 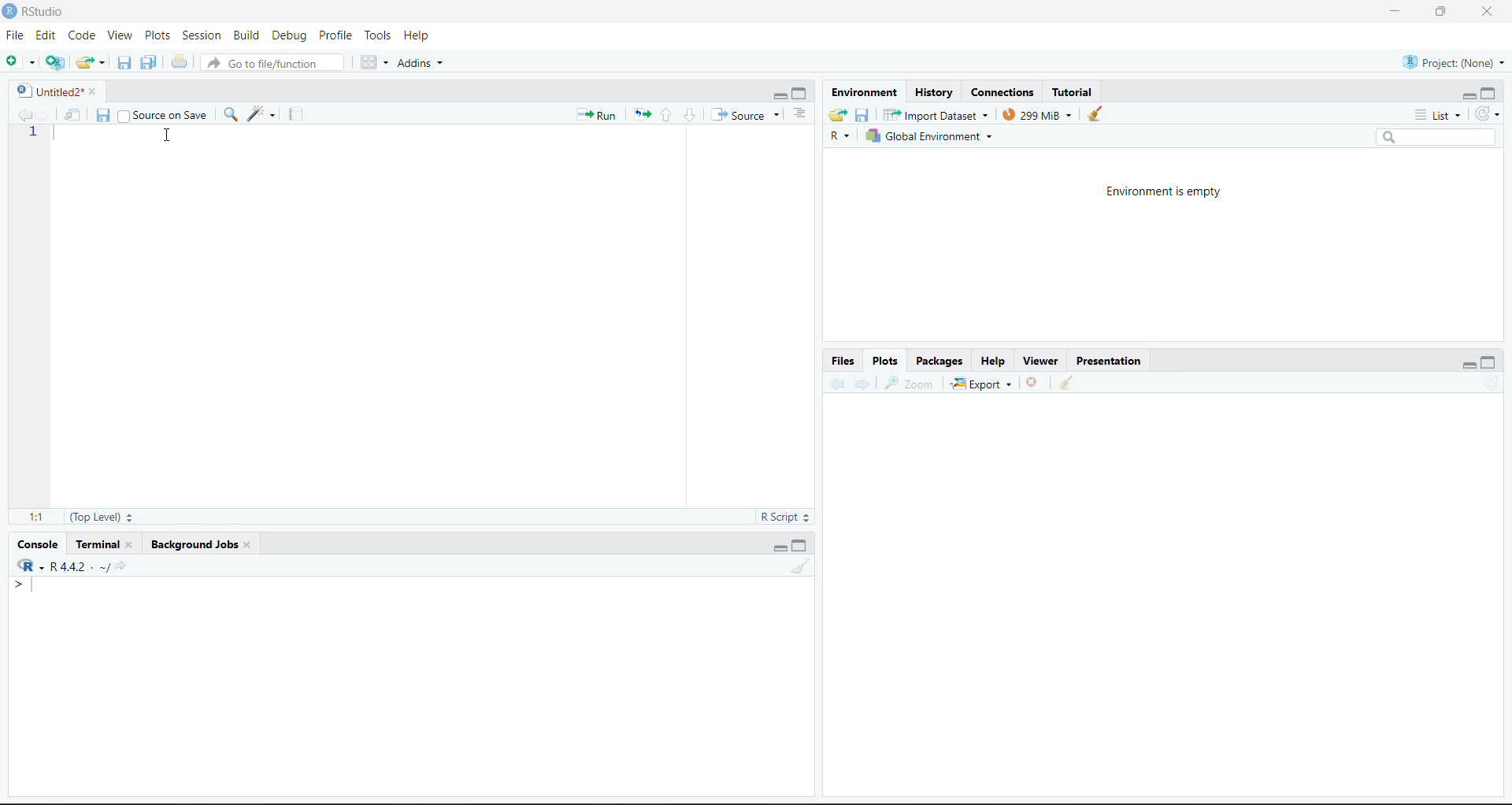 What do you see at coordinates (799, 546) in the screenshot?
I see `maximize` at bounding box center [799, 546].